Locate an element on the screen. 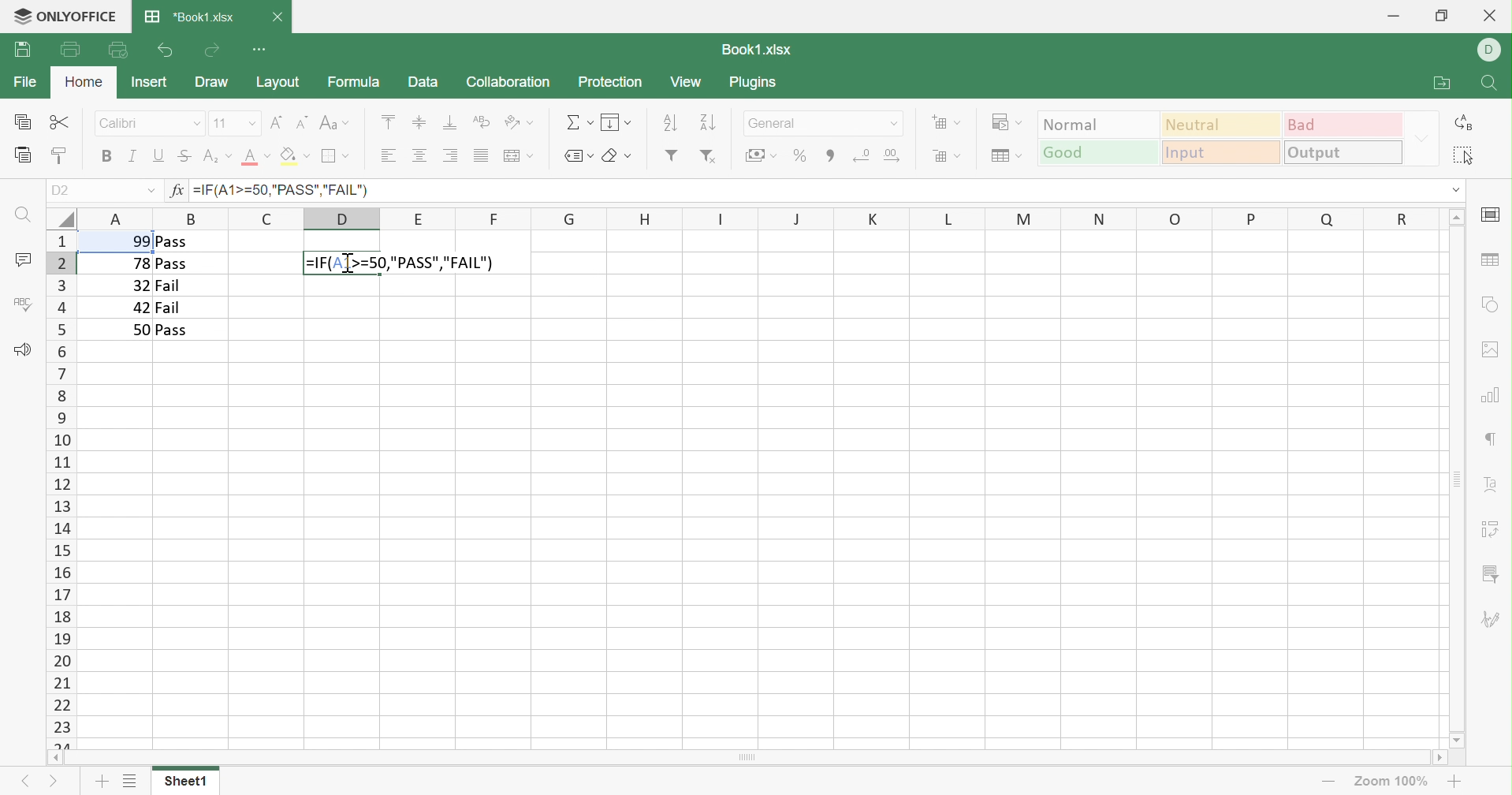 This screenshot has width=1512, height=795. ONLYOFFICE is located at coordinates (81, 15).